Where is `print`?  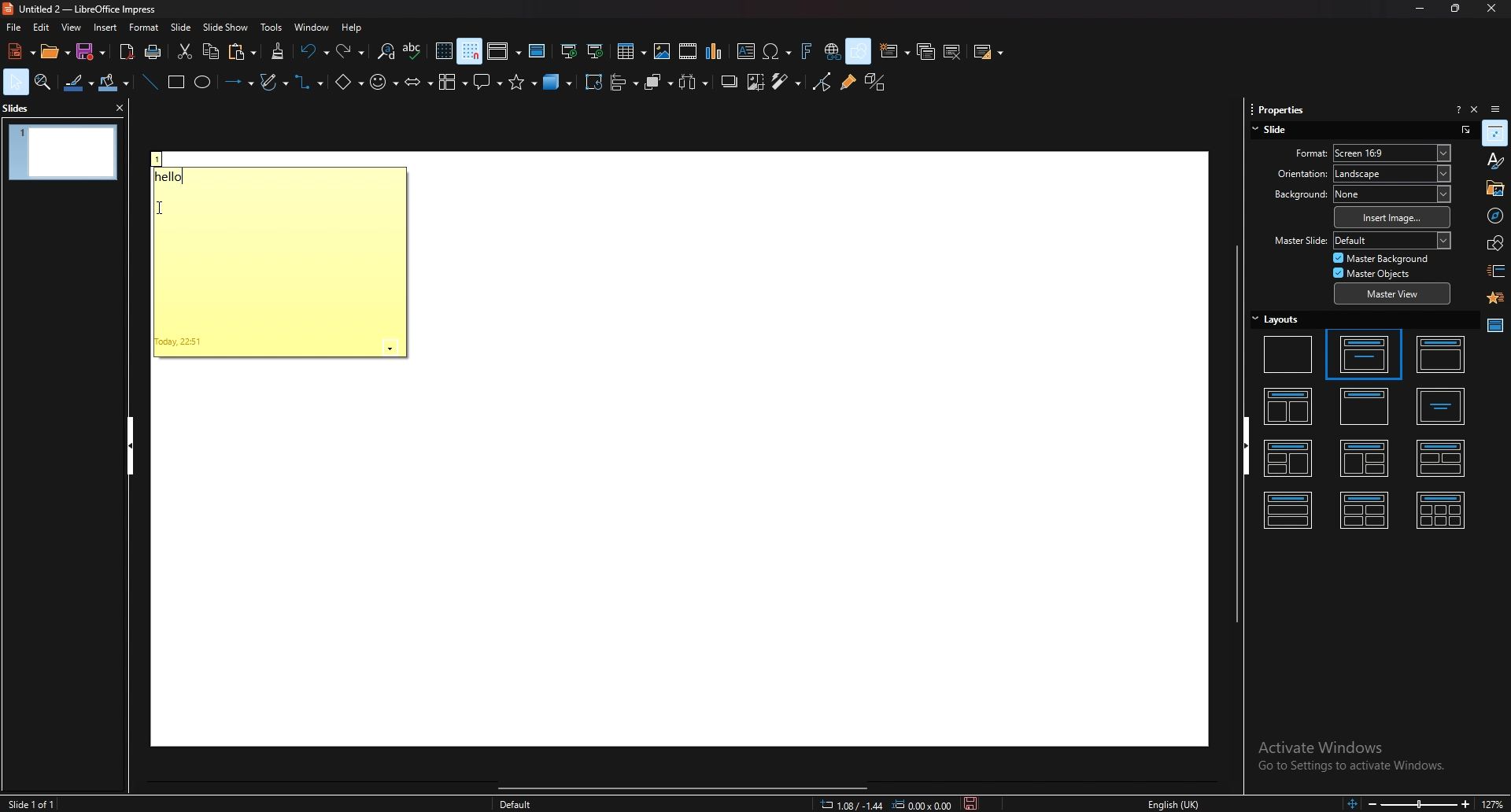 print is located at coordinates (153, 52).